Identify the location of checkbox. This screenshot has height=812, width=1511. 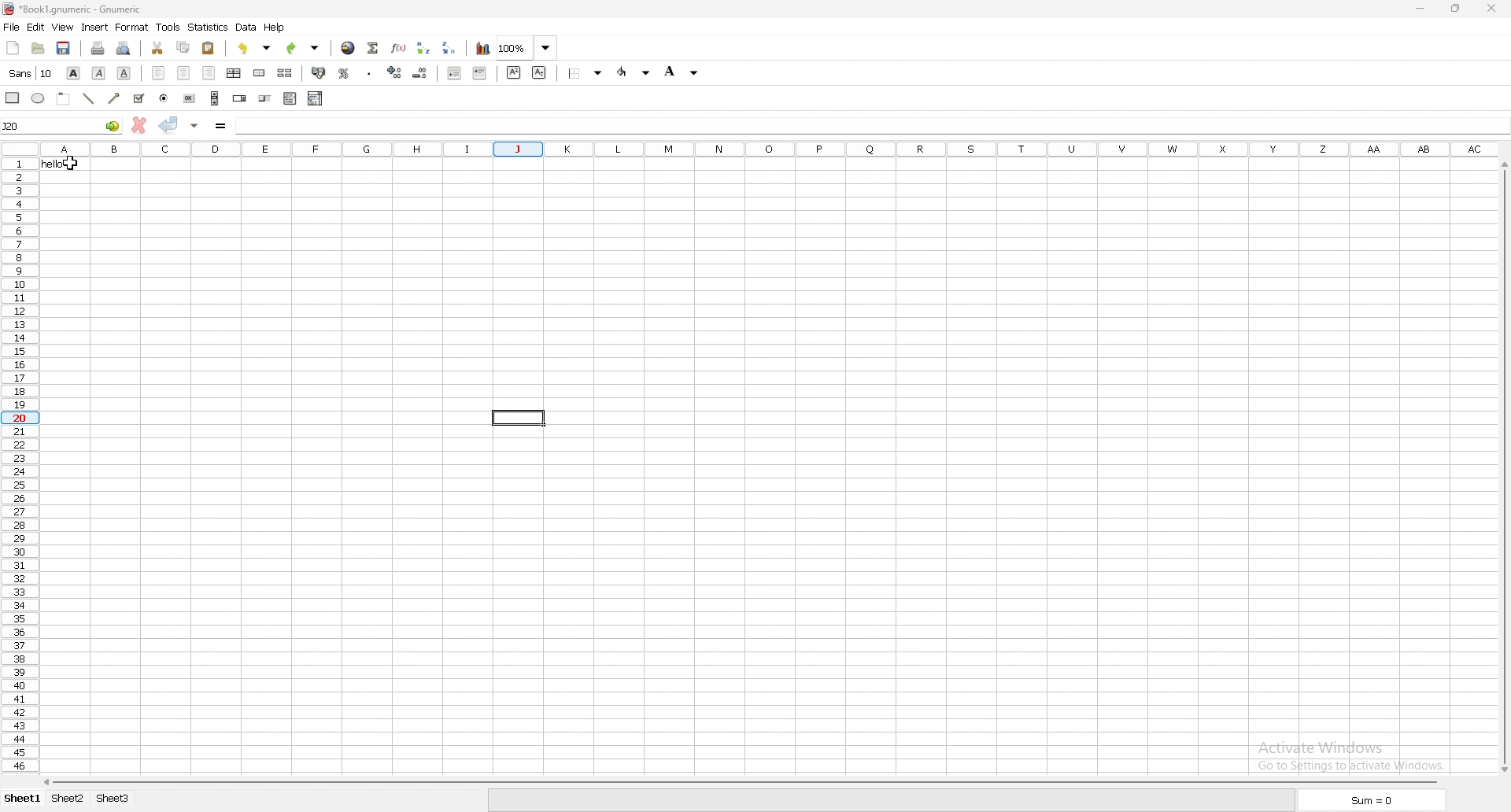
(140, 99).